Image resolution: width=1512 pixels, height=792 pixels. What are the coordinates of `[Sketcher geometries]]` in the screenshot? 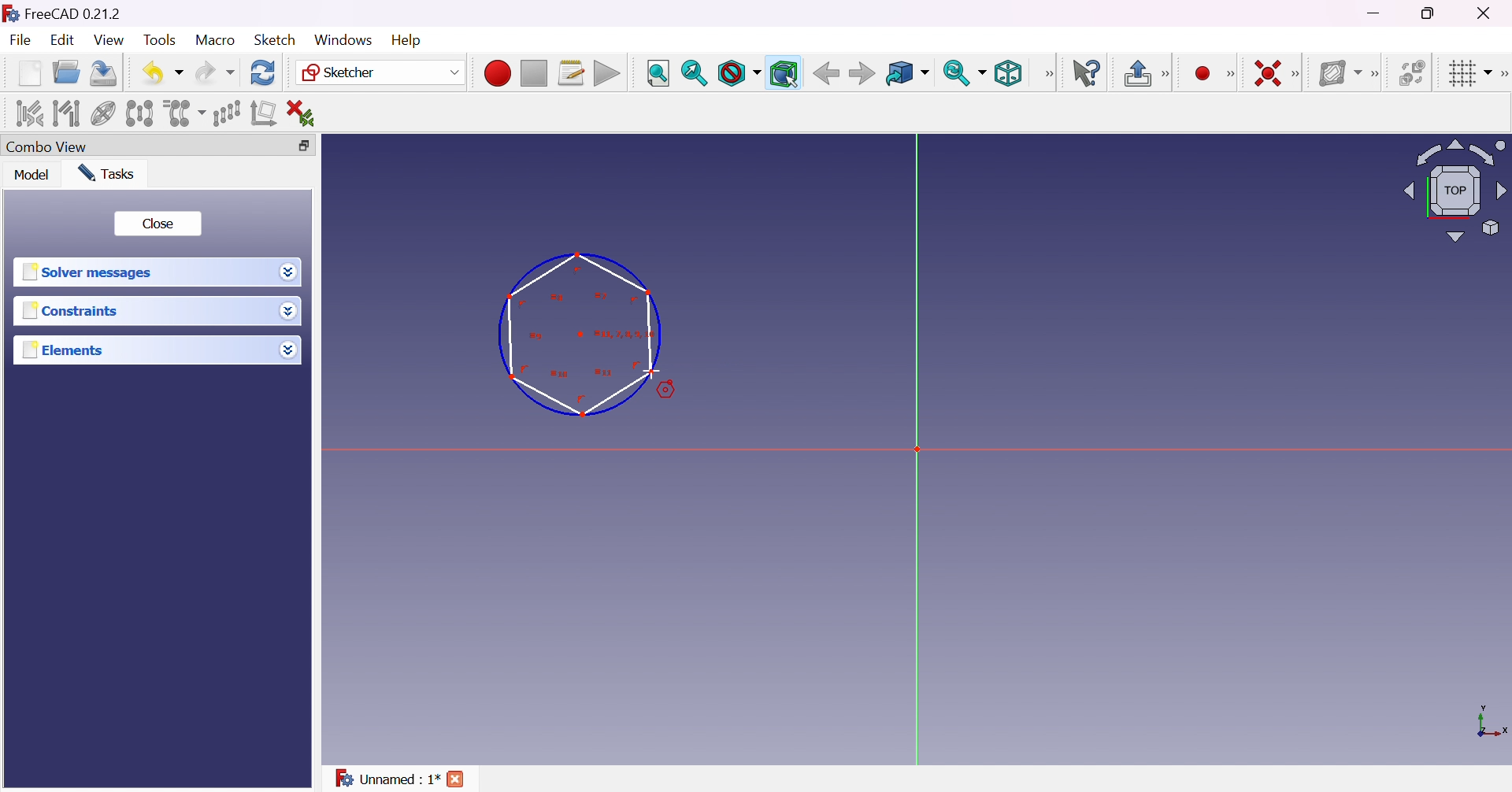 It's located at (1230, 74).